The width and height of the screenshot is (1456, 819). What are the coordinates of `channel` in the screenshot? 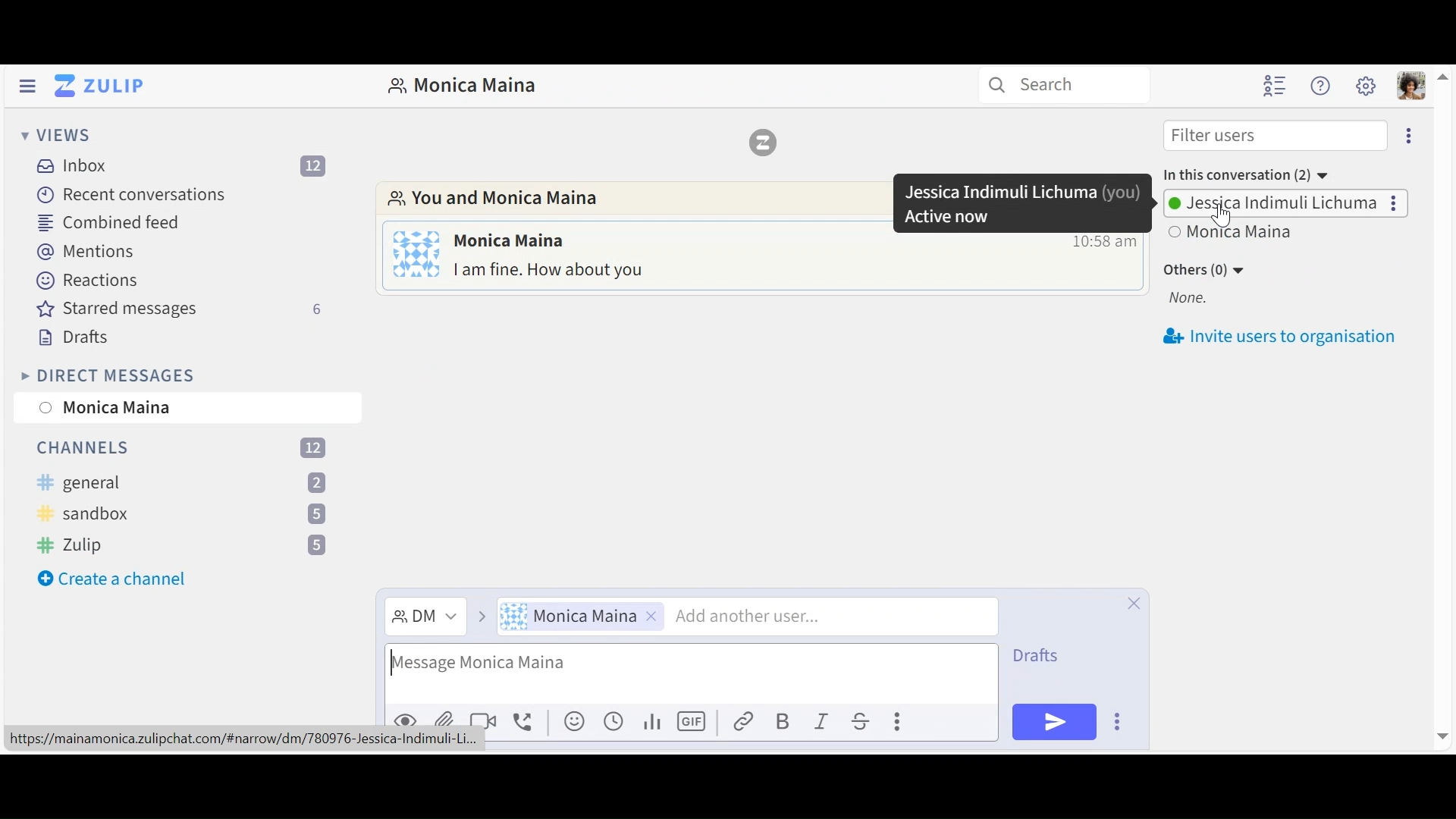 It's located at (181, 482).